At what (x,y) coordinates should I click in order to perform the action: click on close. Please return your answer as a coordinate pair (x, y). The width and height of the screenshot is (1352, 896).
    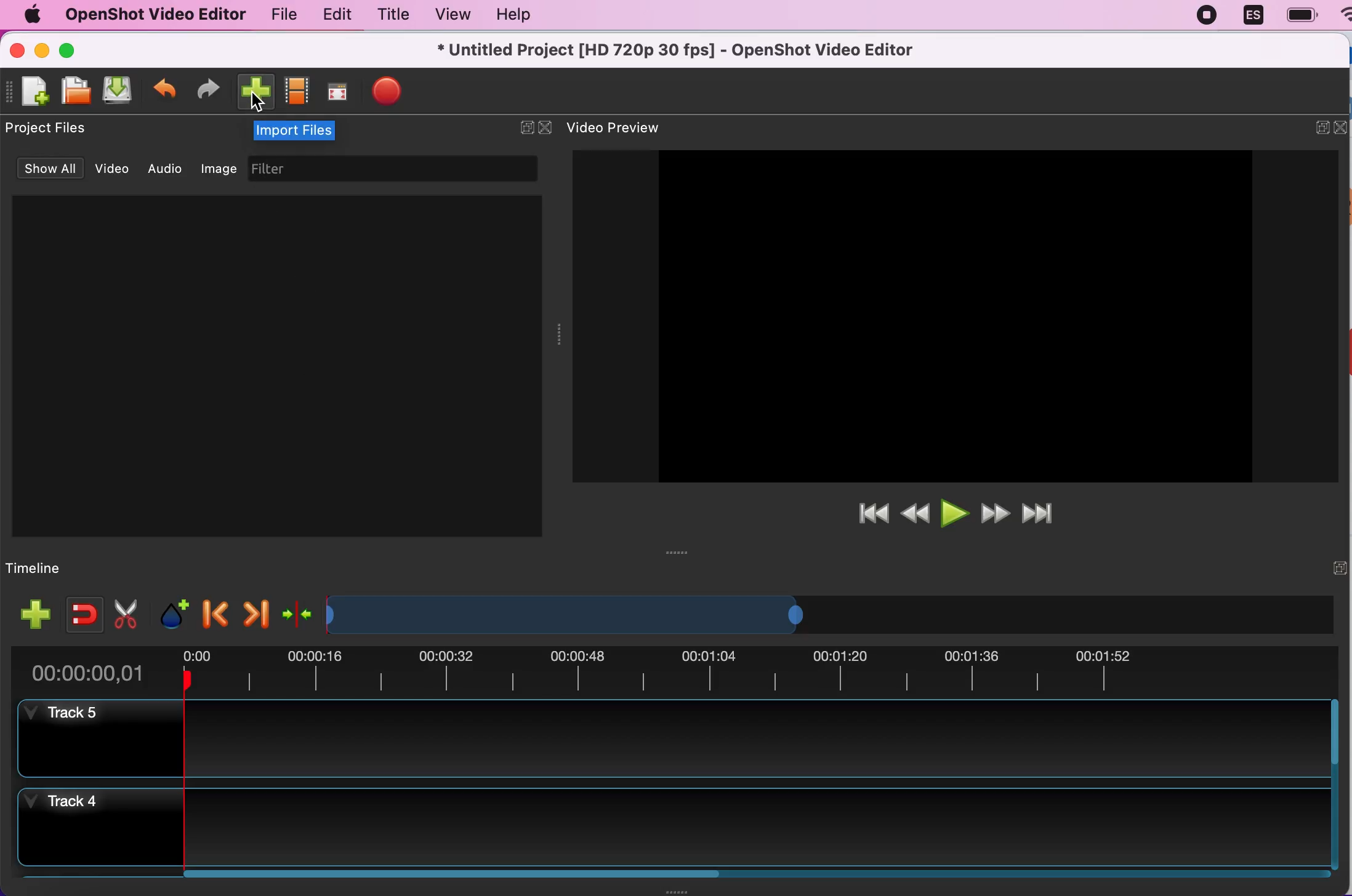
    Looking at the image, I should click on (16, 54).